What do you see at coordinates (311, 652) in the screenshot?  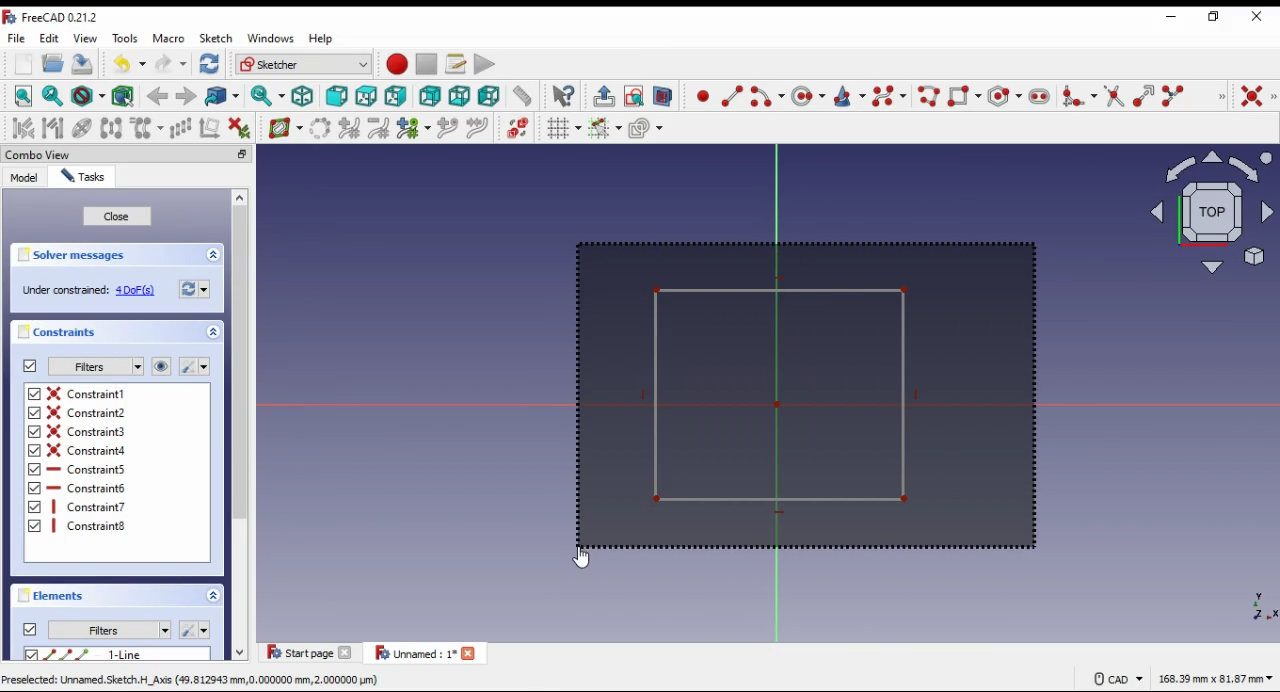 I see `tab 1` at bounding box center [311, 652].